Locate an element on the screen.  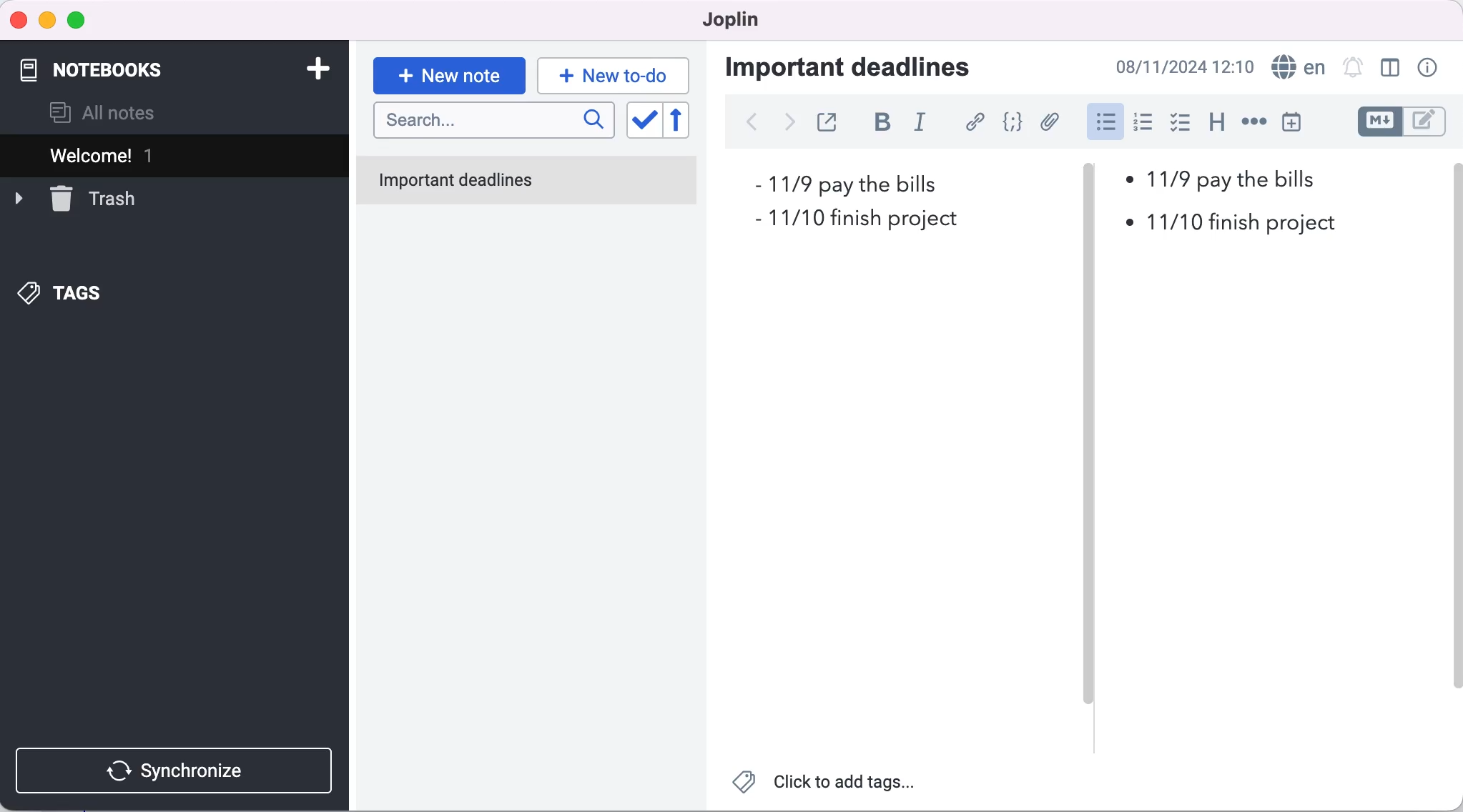
hyperlink is located at coordinates (970, 124).